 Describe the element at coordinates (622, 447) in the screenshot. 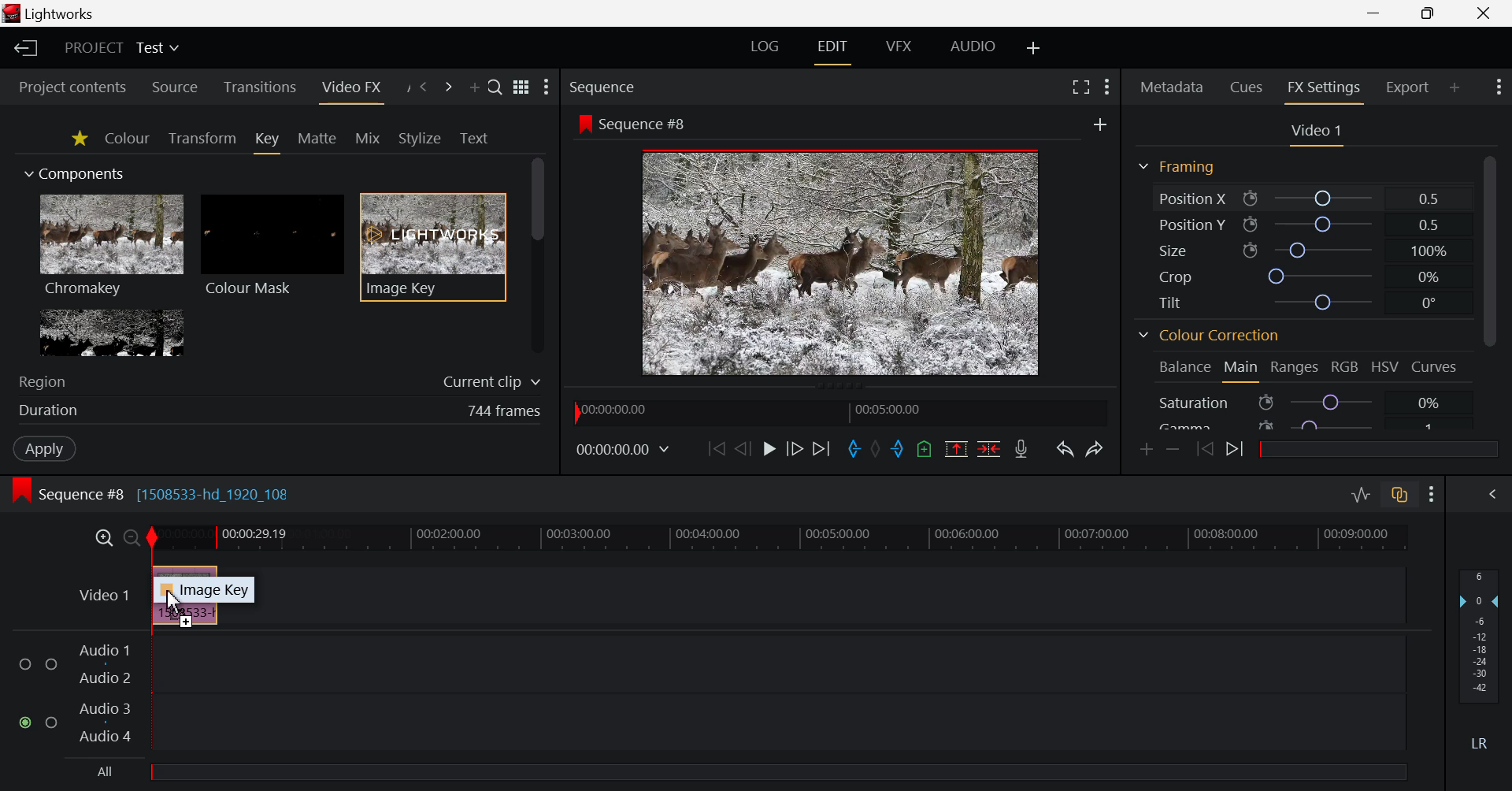

I see `00:00:00:00` at that location.